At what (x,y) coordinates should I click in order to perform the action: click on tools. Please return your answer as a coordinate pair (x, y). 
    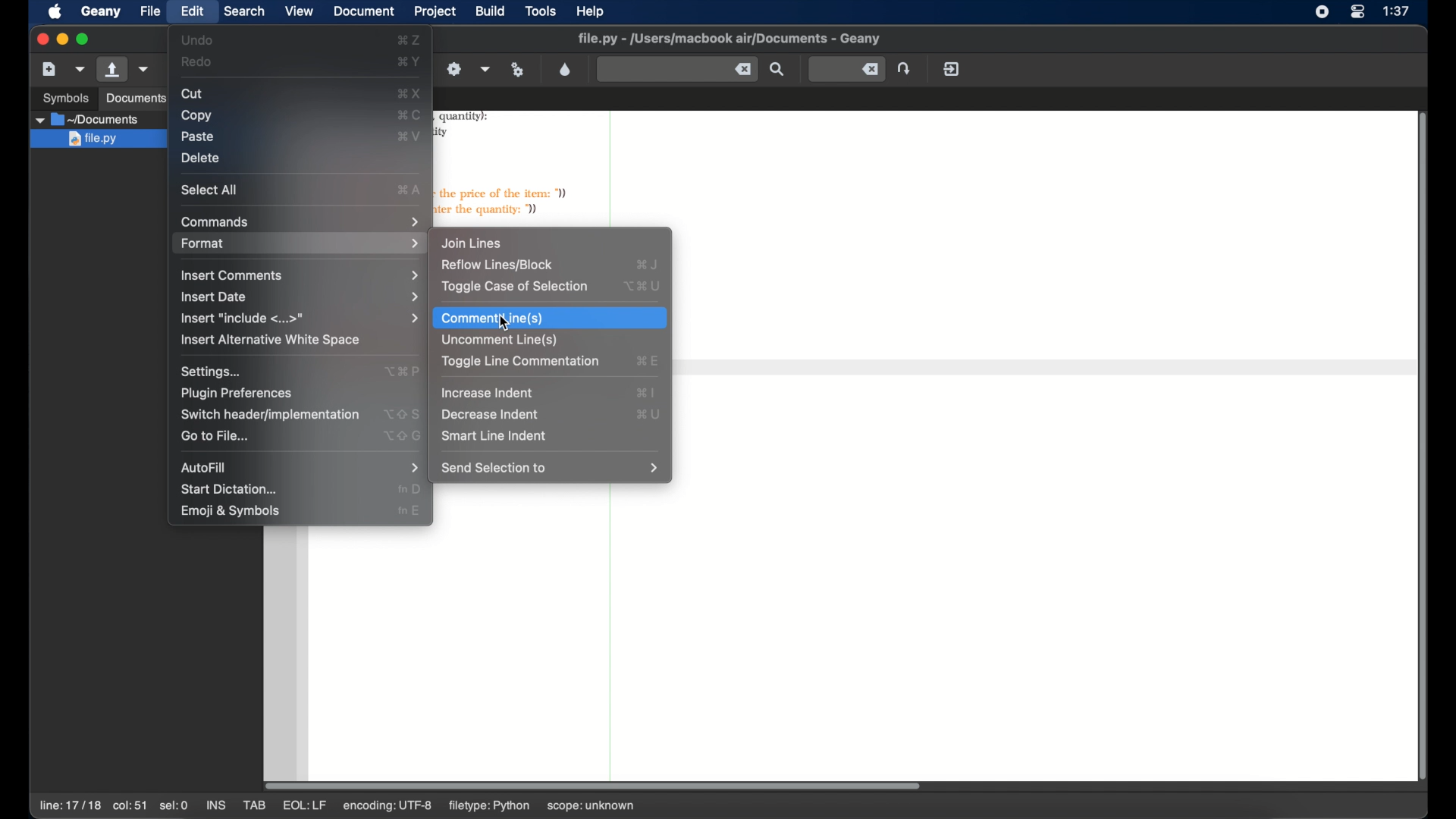
    Looking at the image, I should click on (541, 12).